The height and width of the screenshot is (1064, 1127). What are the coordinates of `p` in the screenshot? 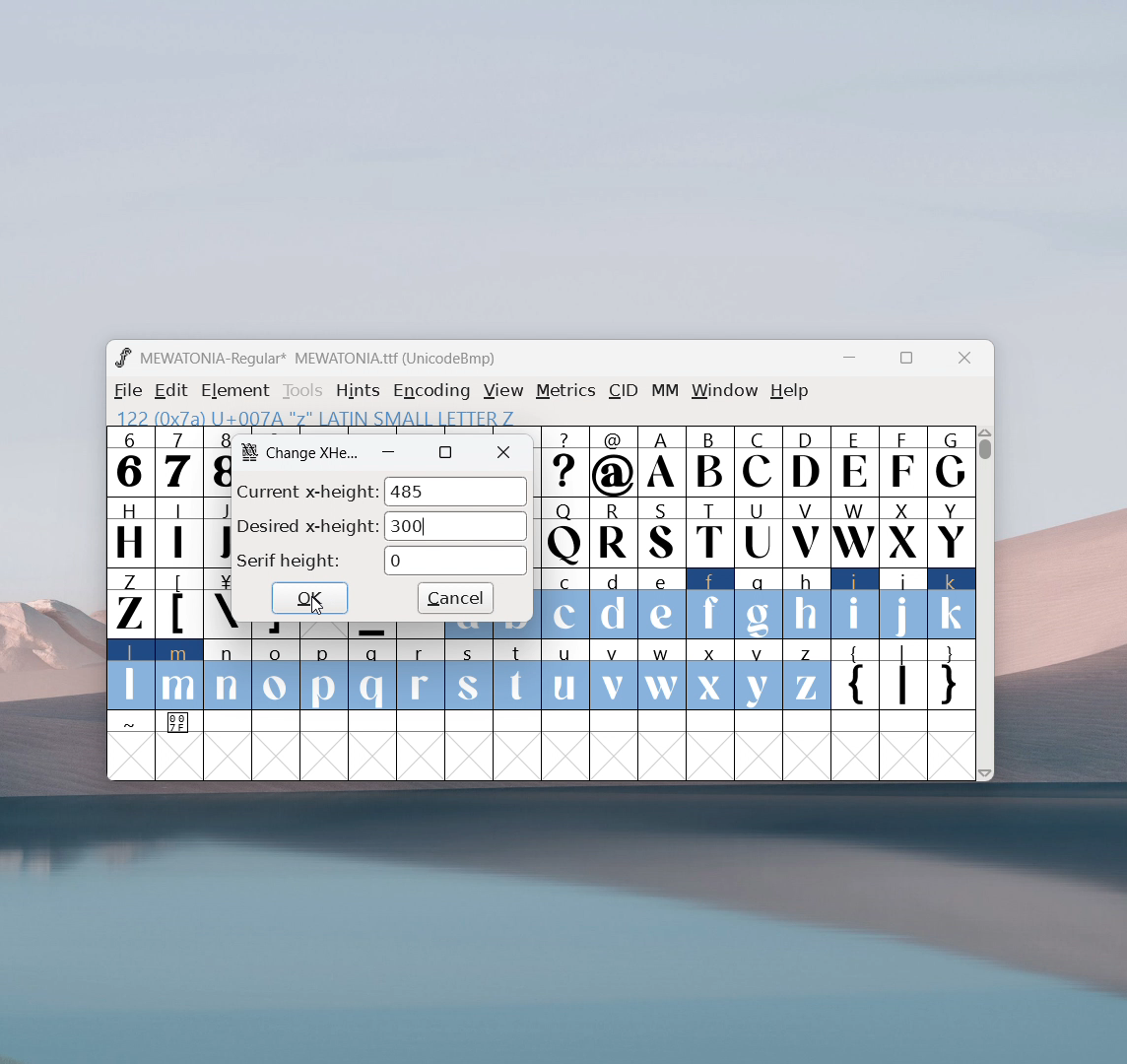 It's located at (326, 676).